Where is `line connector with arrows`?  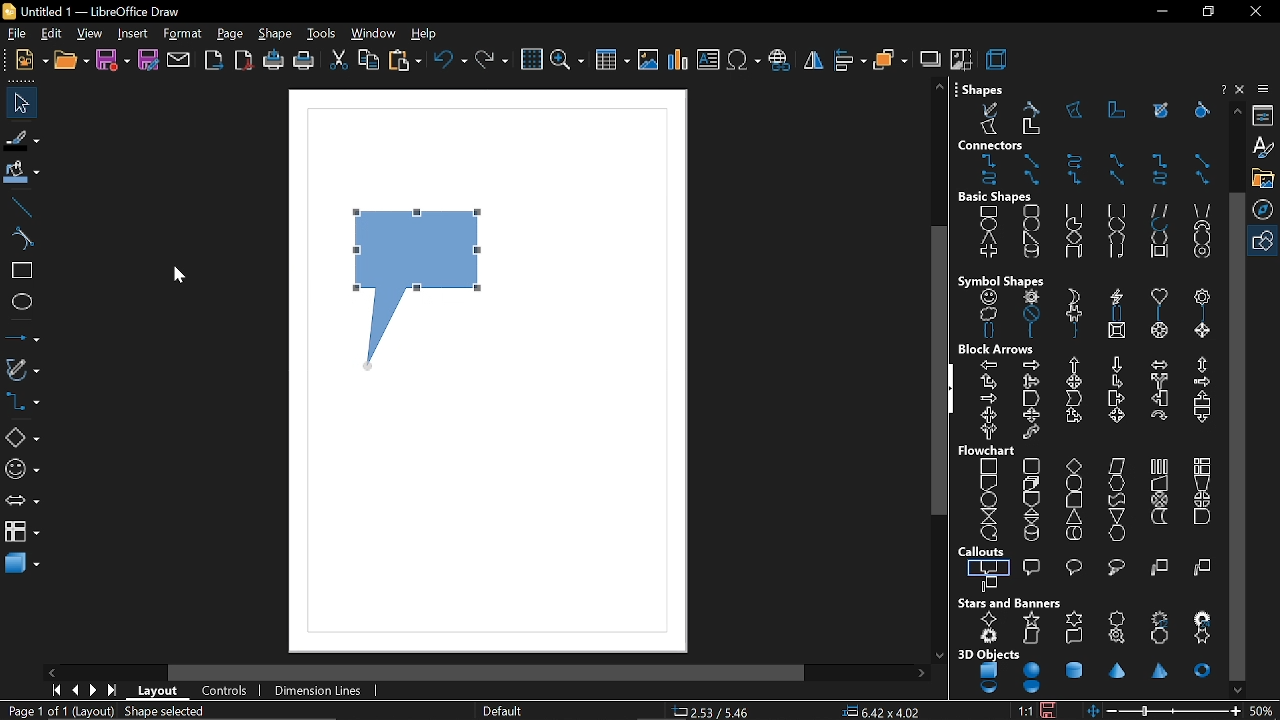
line connector with arrows is located at coordinates (1200, 179).